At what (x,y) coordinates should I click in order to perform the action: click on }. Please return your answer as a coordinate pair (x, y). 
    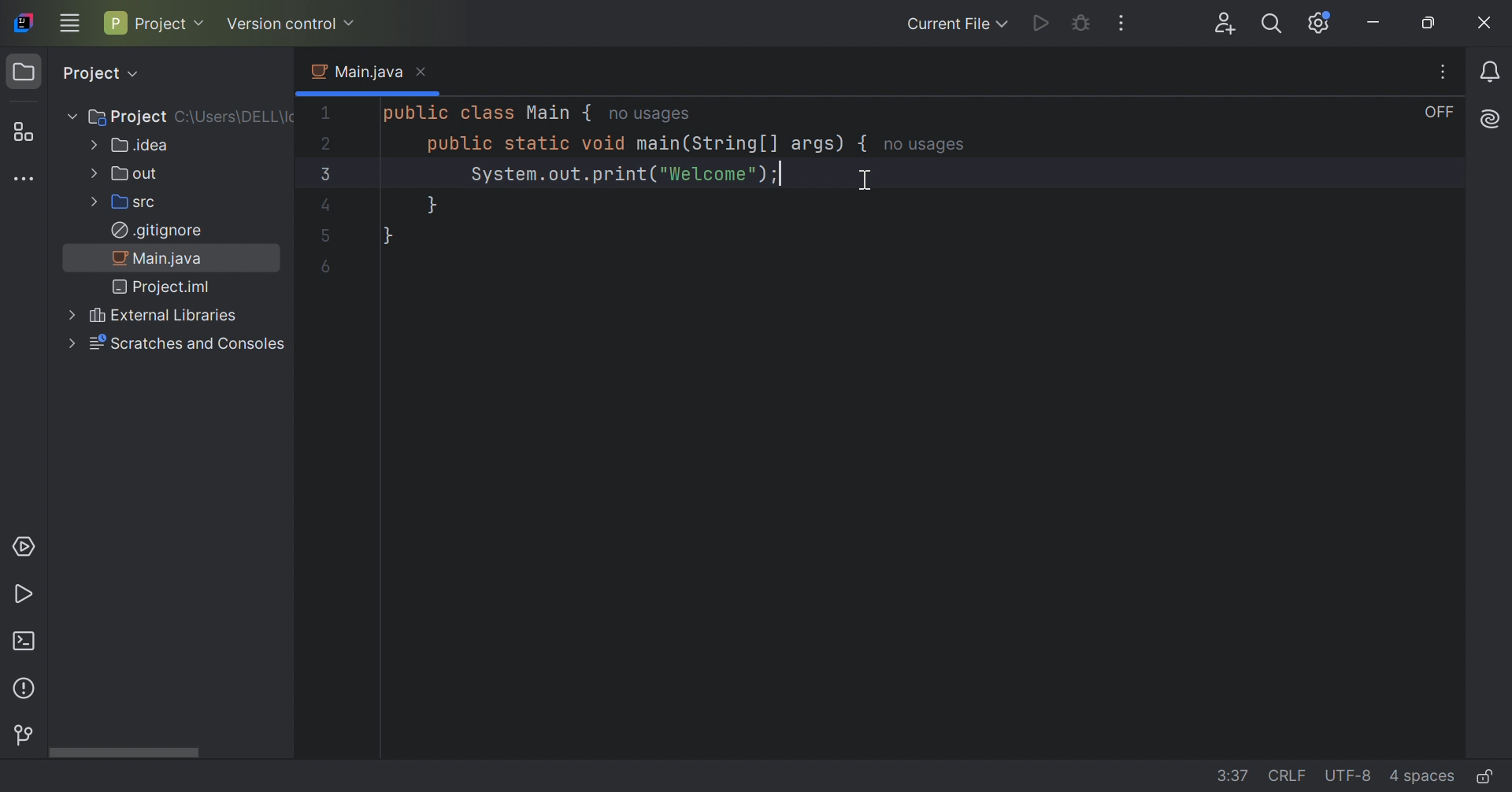
    Looking at the image, I should click on (430, 205).